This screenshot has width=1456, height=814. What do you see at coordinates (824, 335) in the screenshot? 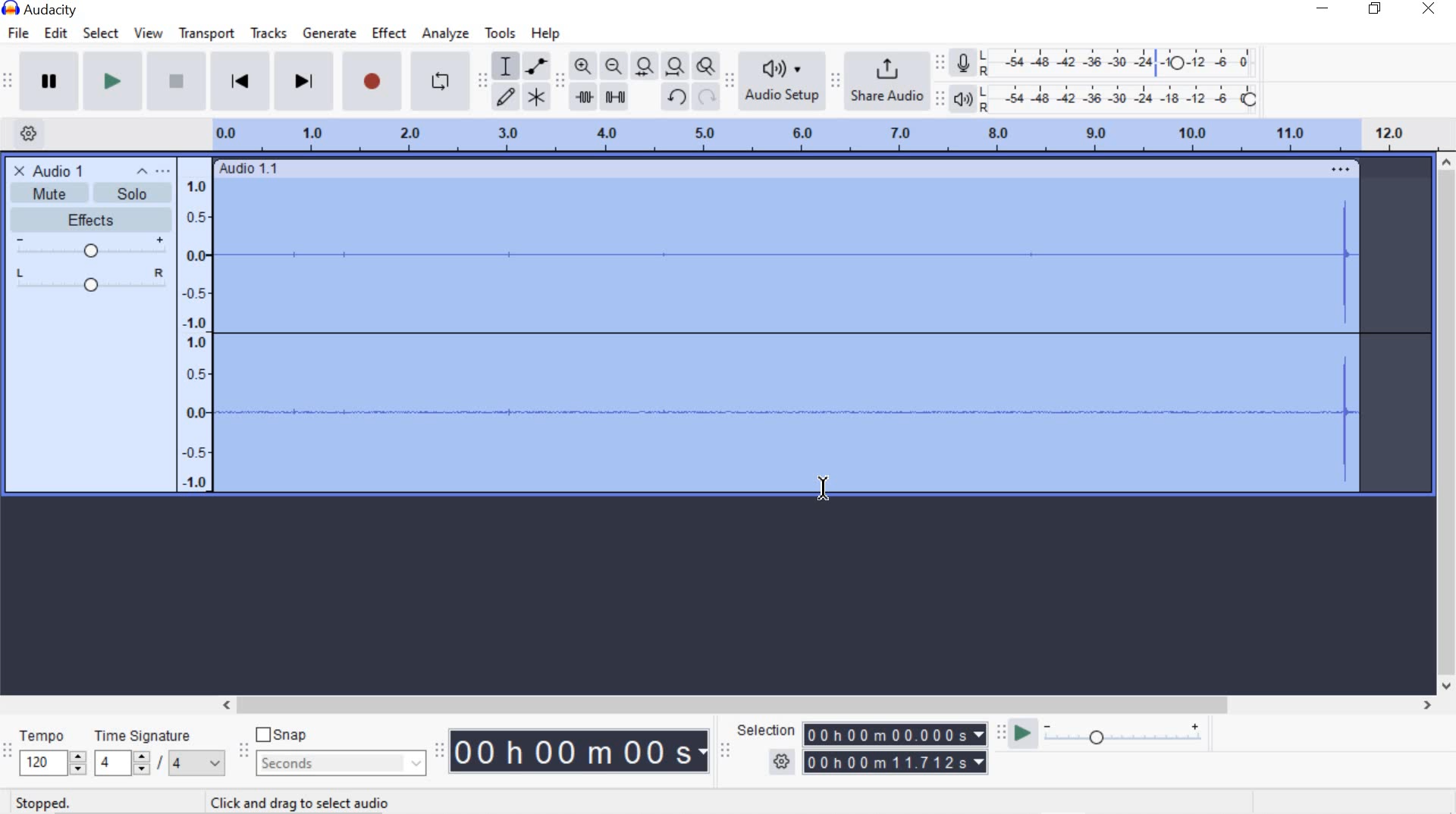
I see `Audio Track` at bounding box center [824, 335].